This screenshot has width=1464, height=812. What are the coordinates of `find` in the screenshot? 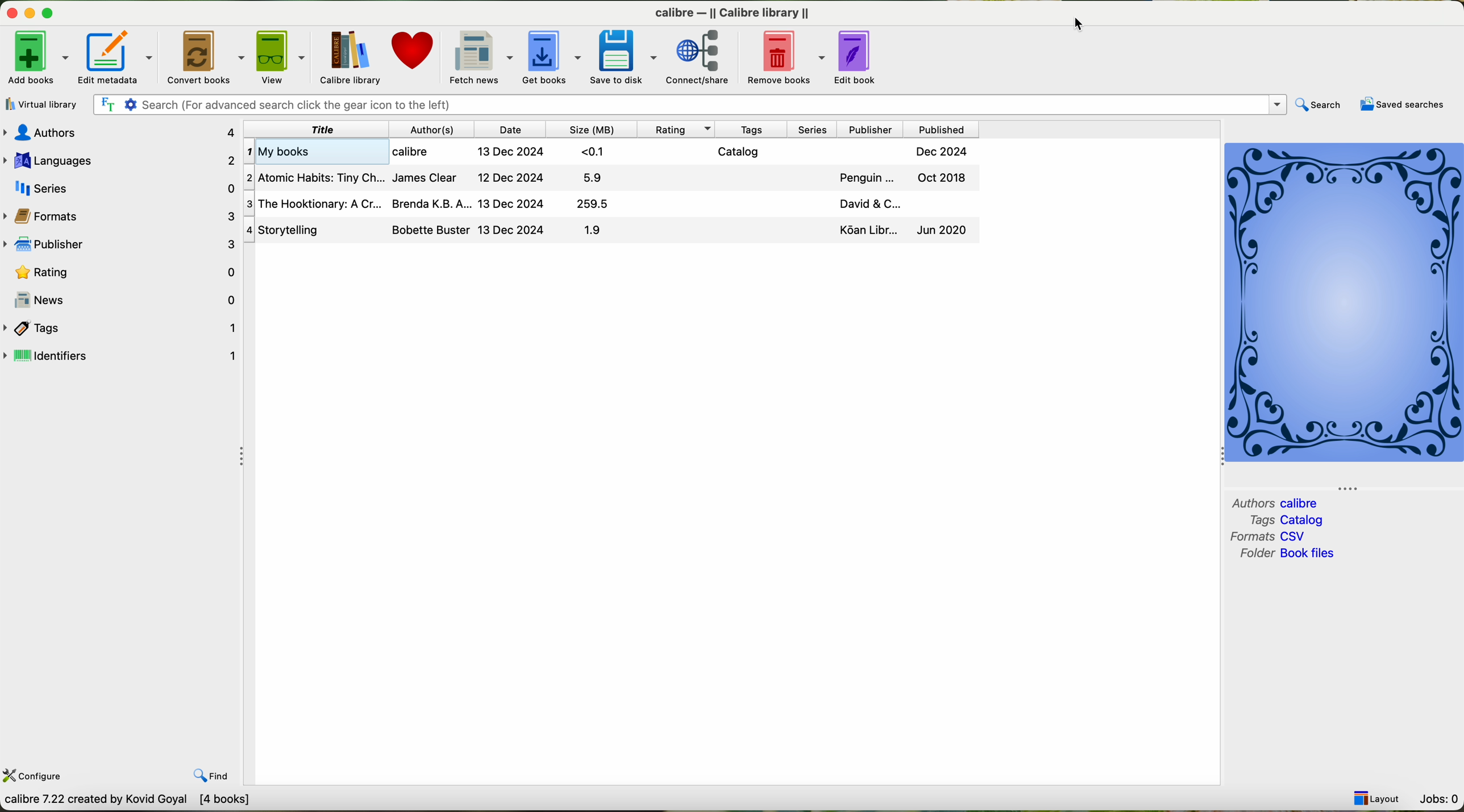 It's located at (212, 773).